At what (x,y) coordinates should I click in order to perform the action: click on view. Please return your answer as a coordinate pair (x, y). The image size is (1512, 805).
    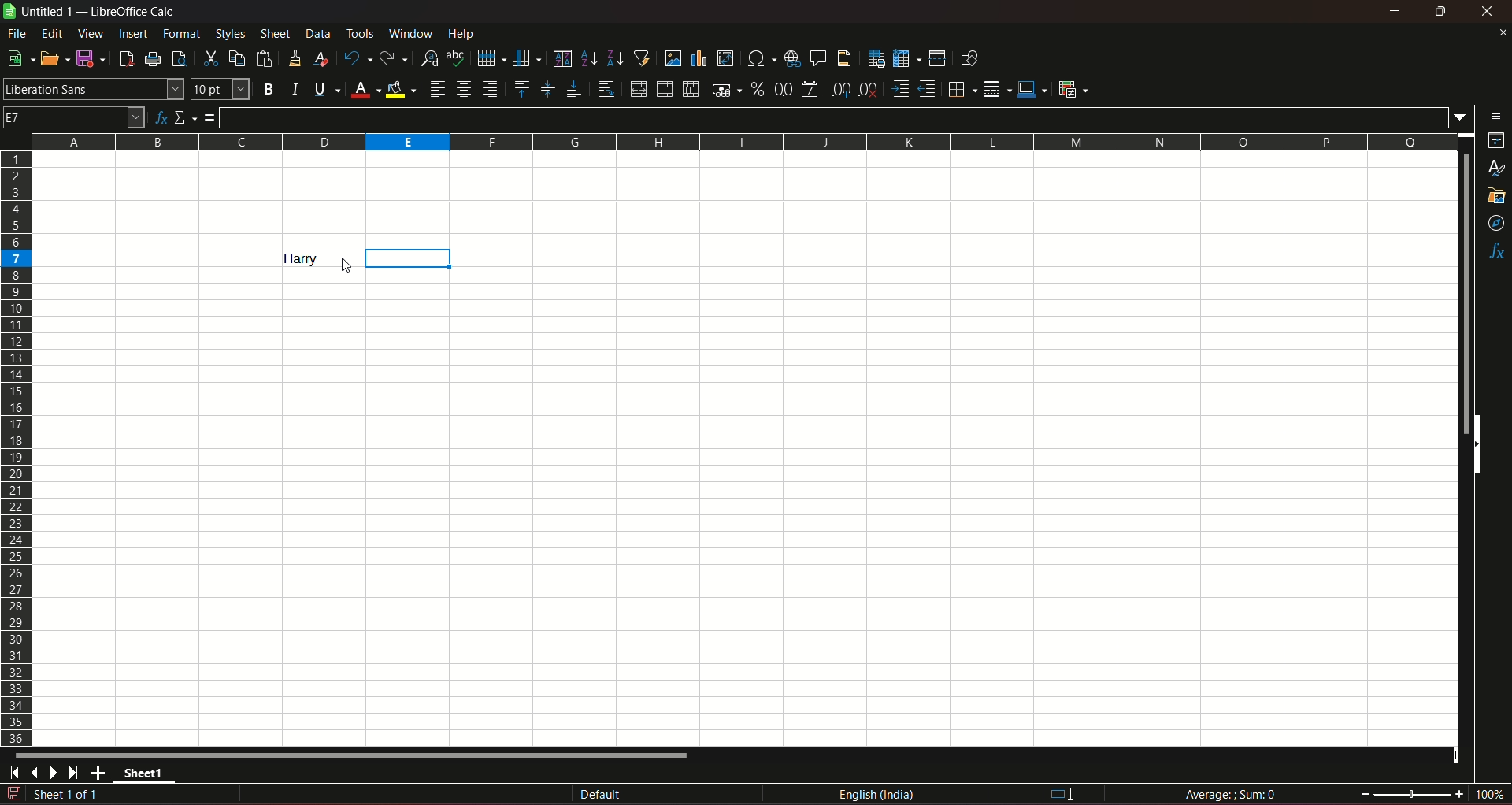
    Looking at the image, I should click on (91, 34).